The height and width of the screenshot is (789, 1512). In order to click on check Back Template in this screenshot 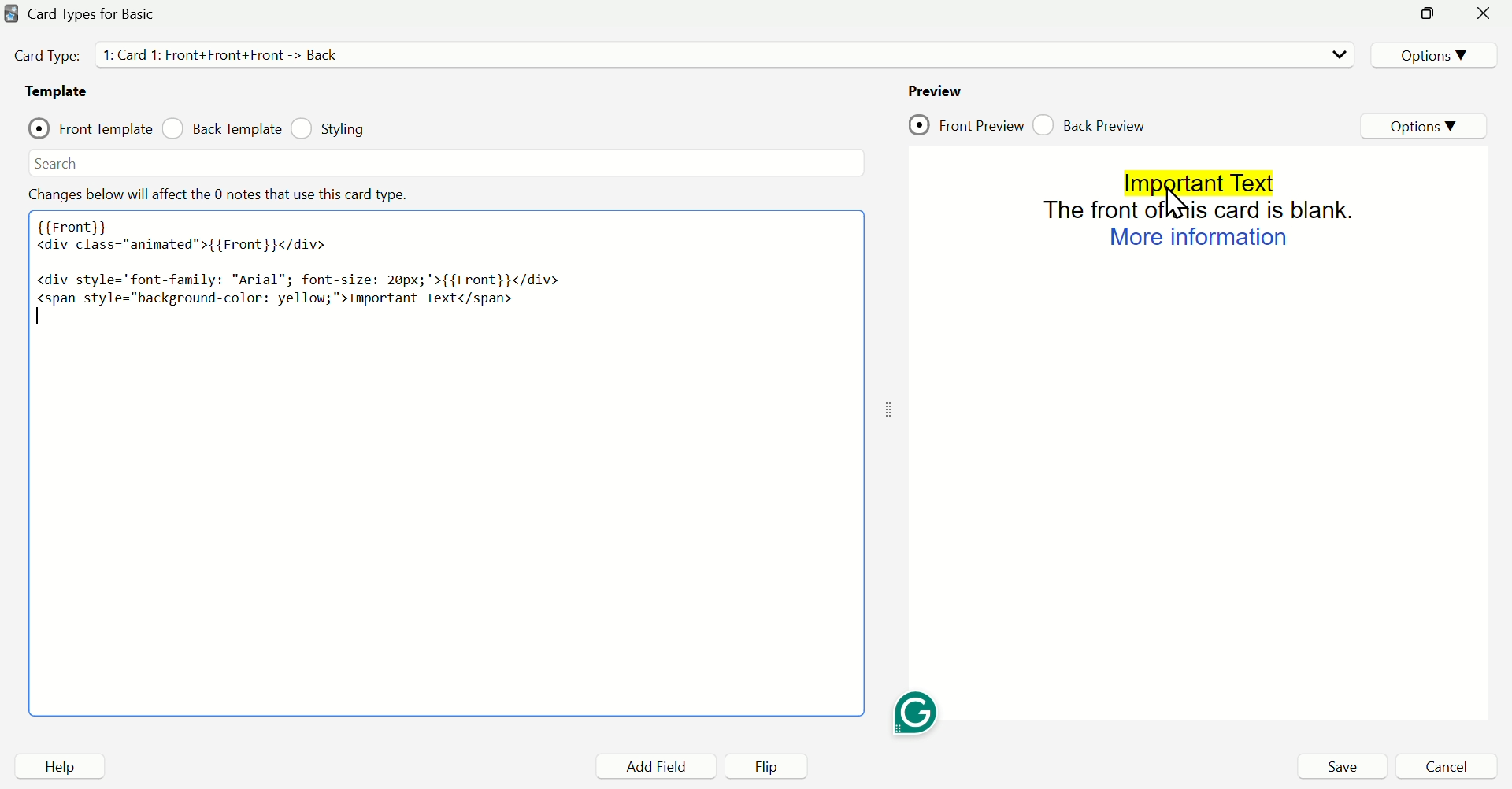, I will do `click(223, 129)`.